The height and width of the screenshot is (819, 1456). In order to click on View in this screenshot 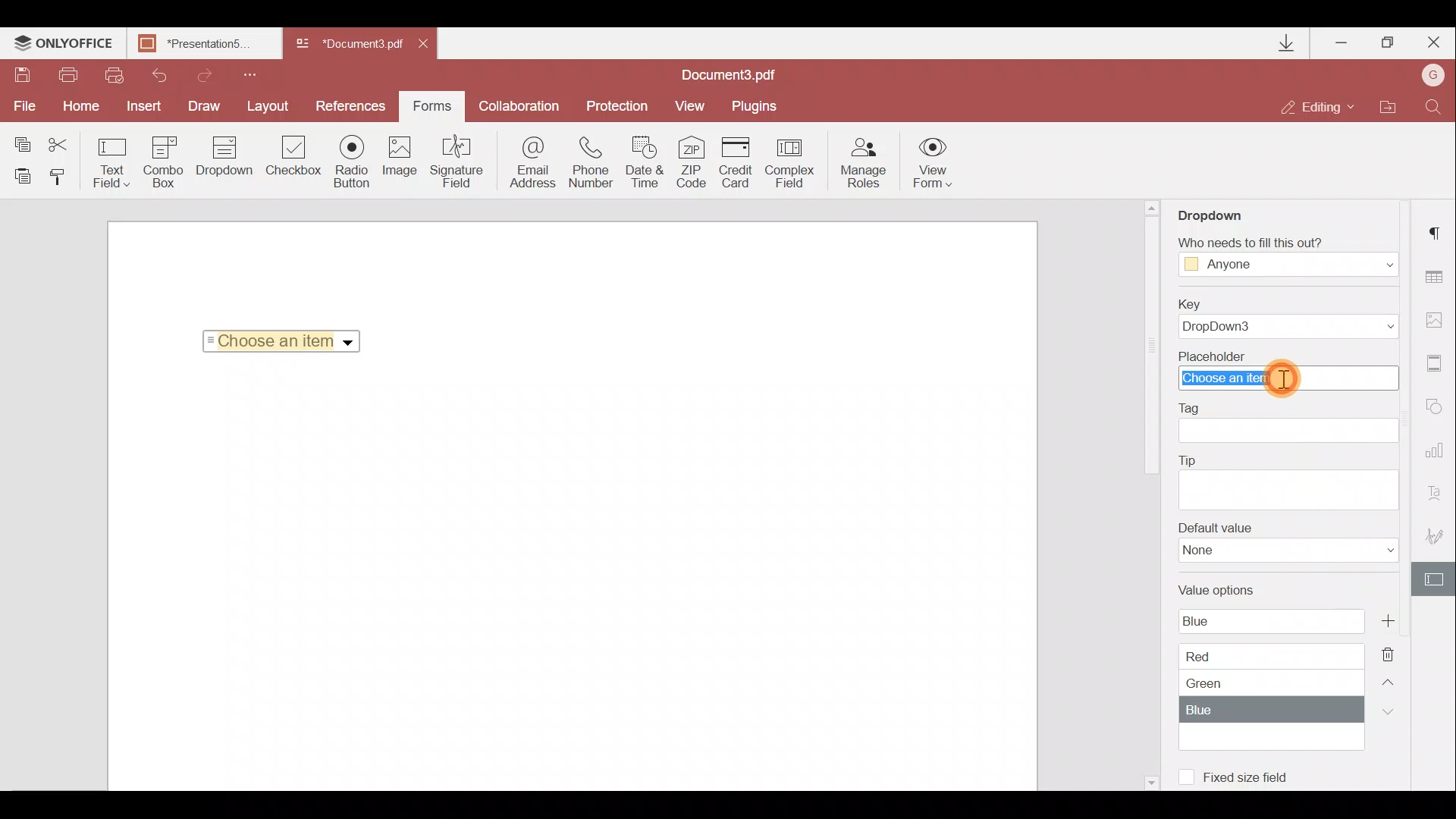, I will do `click(695, 106)`.